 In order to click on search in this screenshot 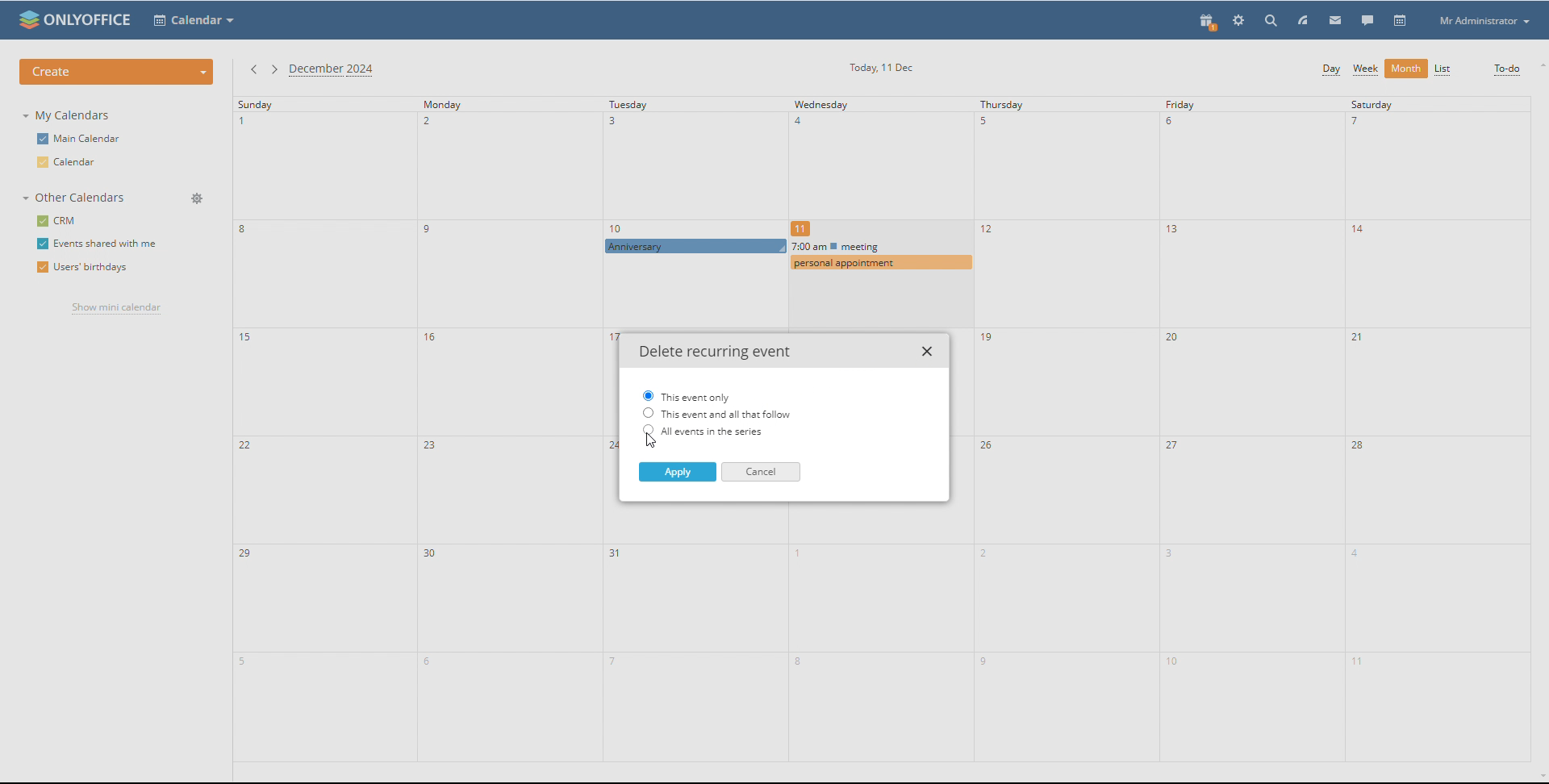, I will do `click(1273, 20)`.